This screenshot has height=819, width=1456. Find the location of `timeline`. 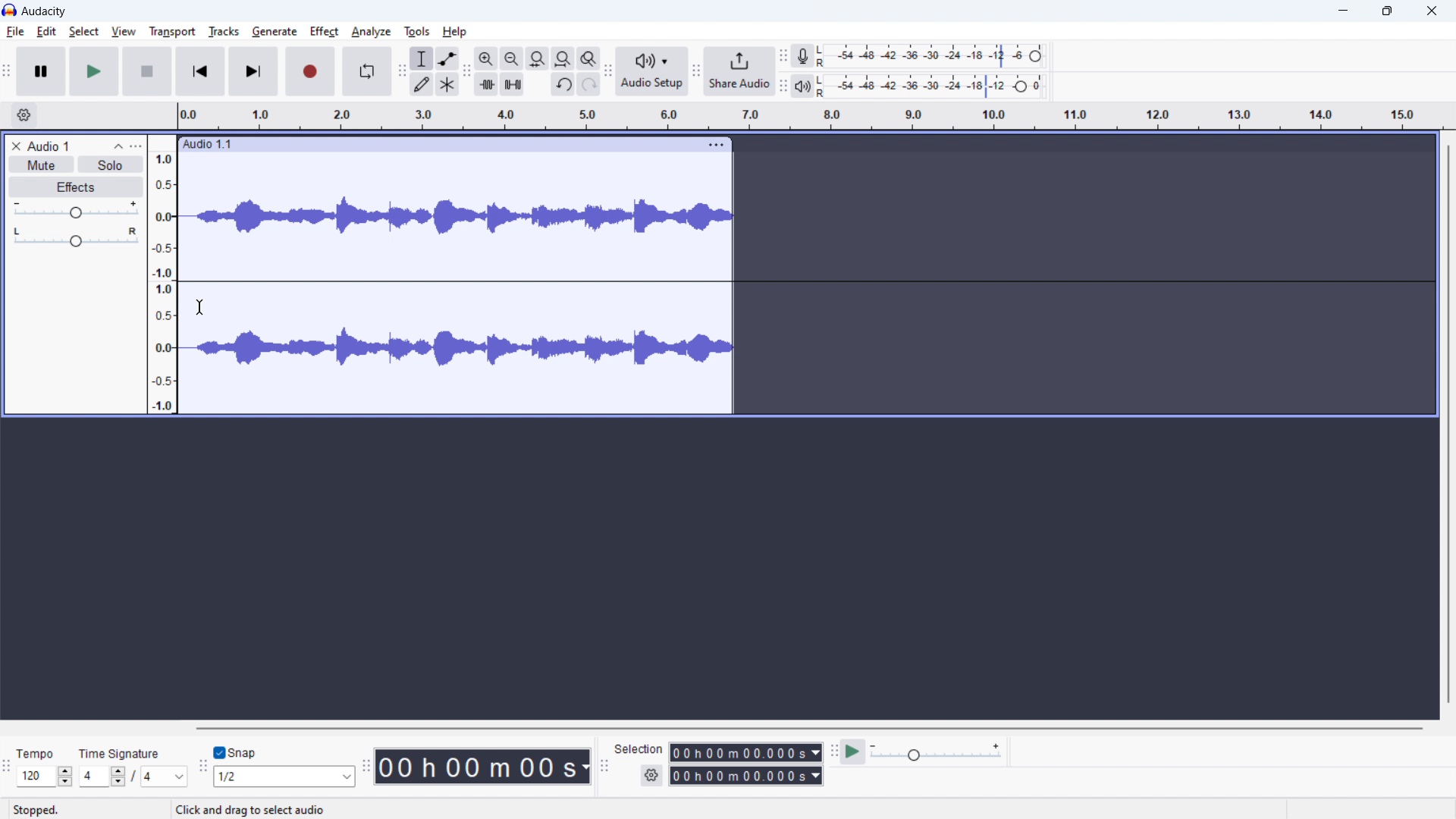

timeline is located at coordinates (808, 115).